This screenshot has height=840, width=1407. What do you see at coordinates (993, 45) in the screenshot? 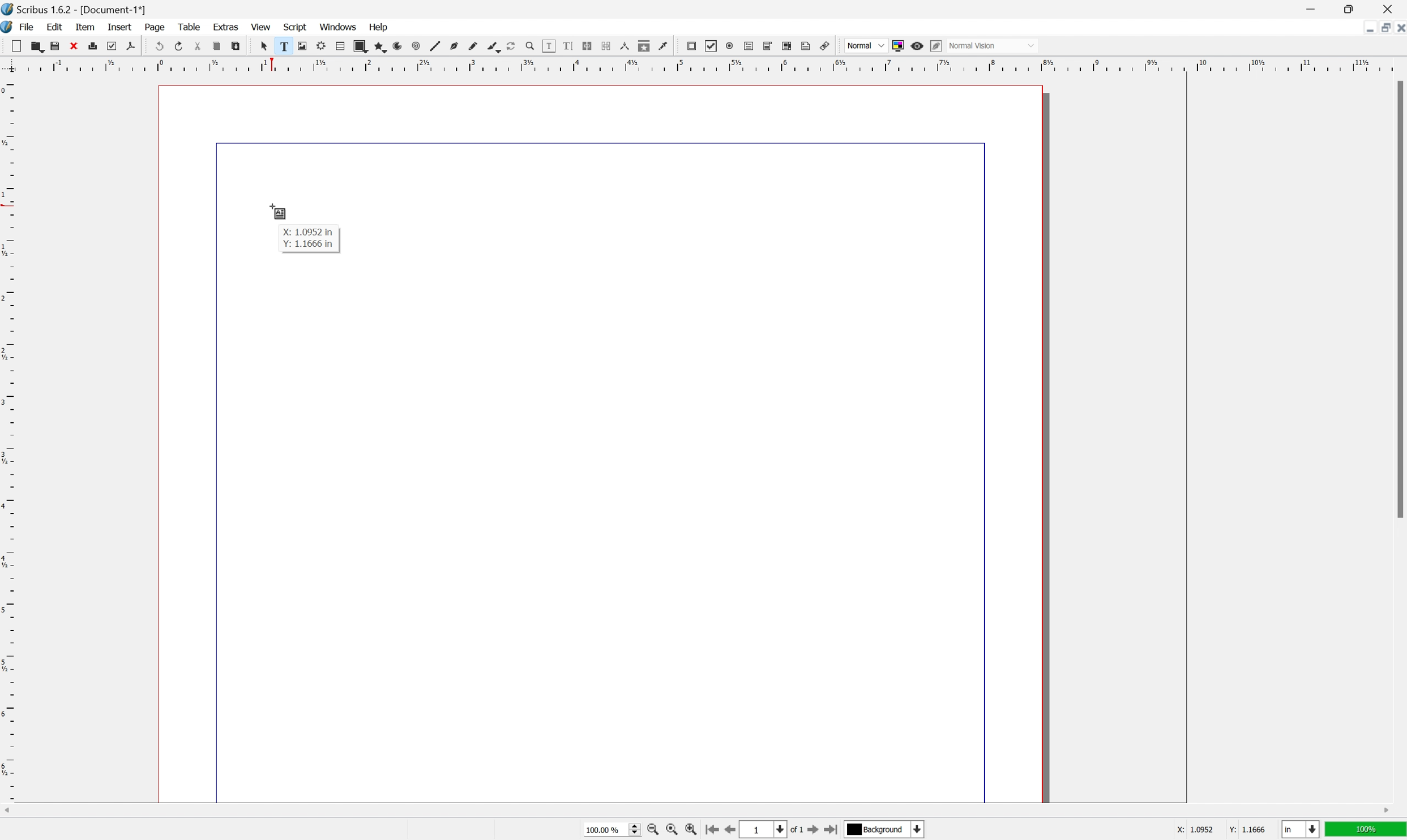
I see `normal vision` at bounding box center [993, 45].